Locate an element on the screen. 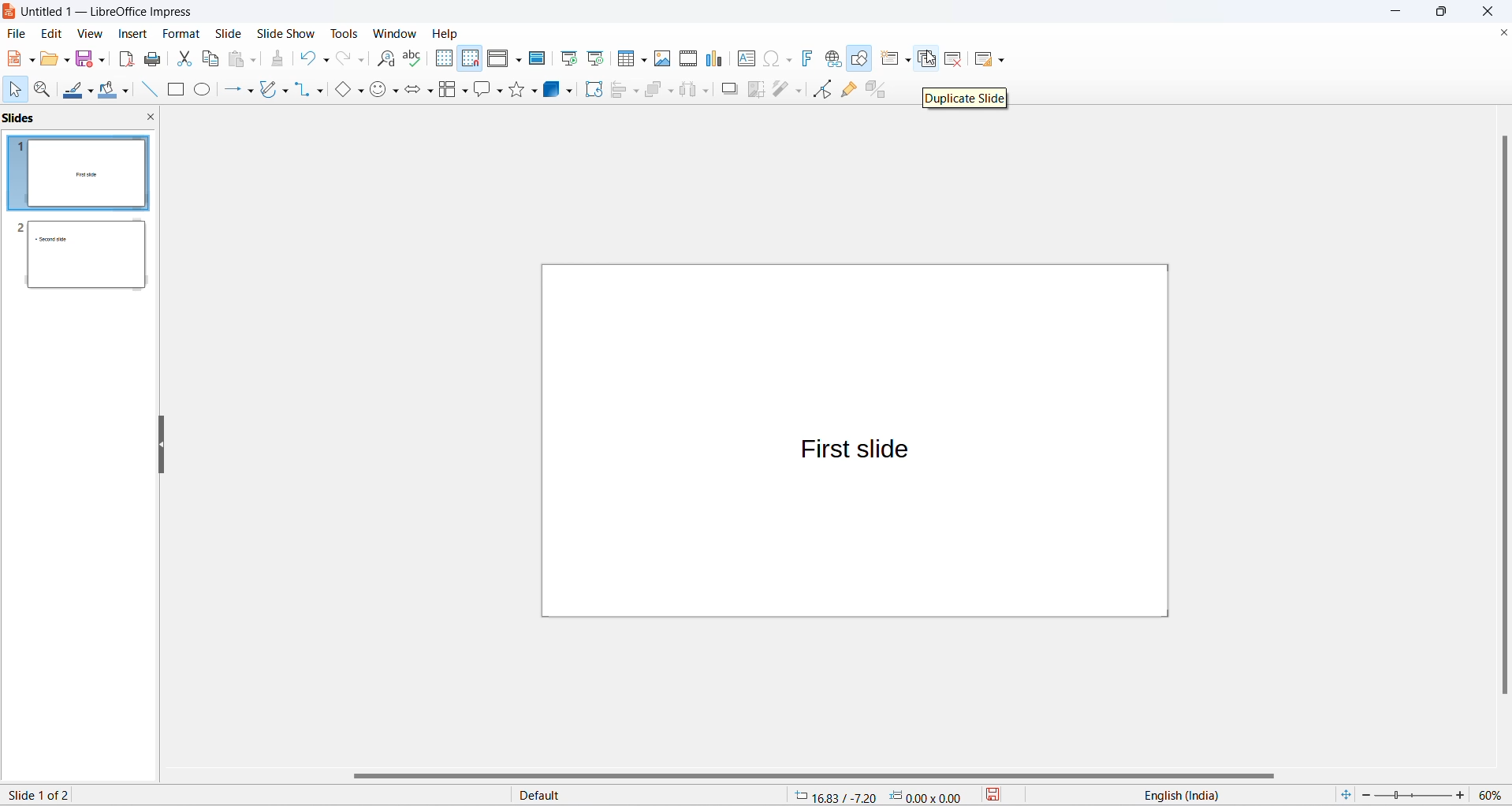  fill color options is located at coordinates (126, 90).